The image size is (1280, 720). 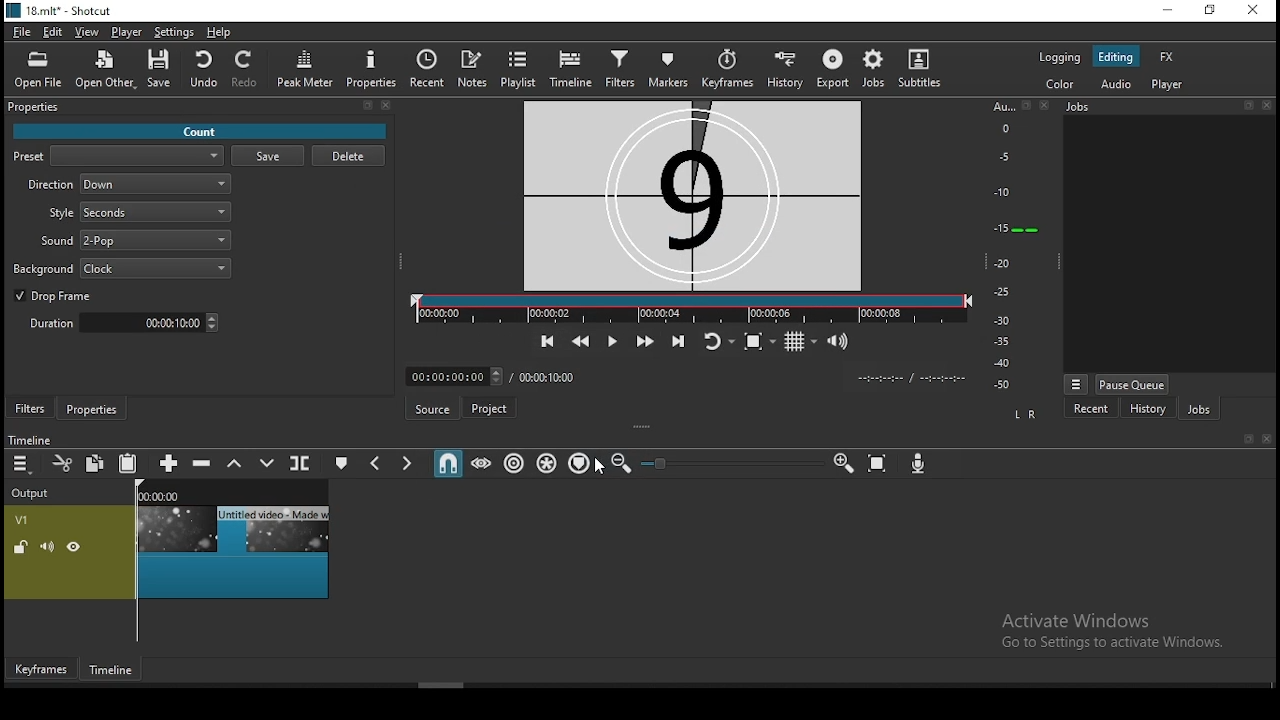 I want to click on delete, so click(x=348, y=155).